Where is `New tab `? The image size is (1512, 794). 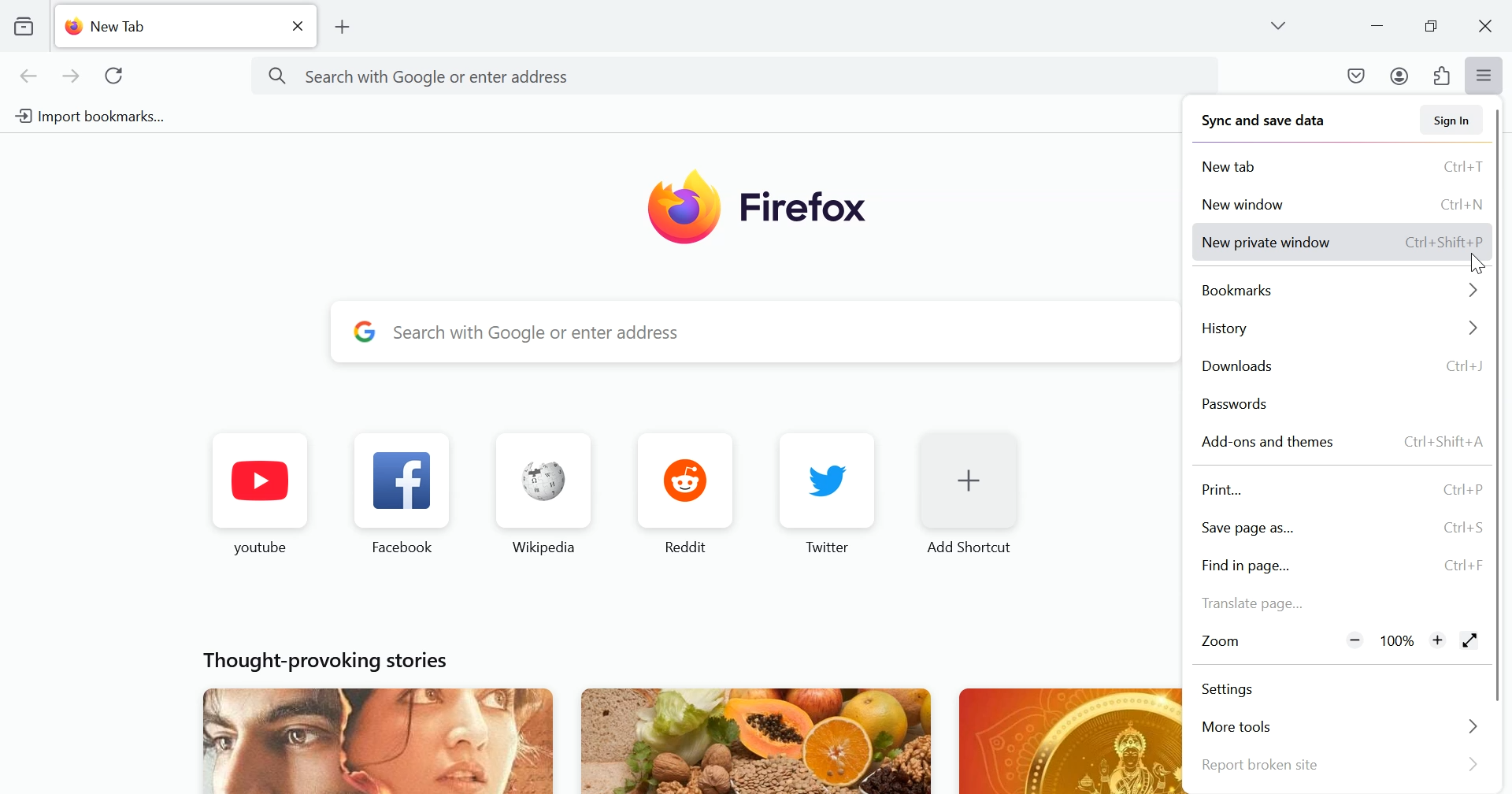
New tab  is located at coordinates (152, 28).